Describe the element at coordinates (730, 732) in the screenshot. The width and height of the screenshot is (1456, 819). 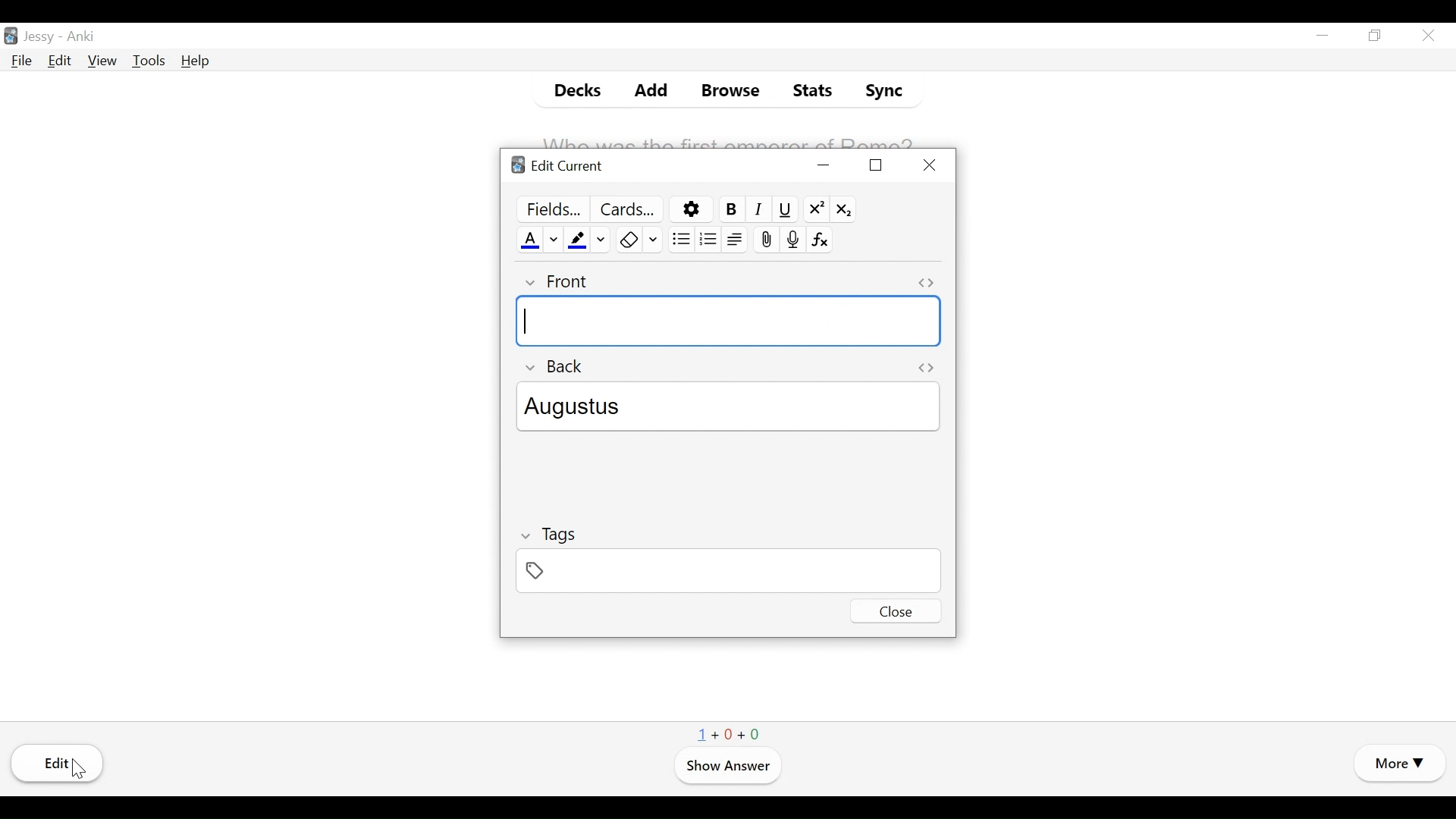
I see `1+0+0` at that location.